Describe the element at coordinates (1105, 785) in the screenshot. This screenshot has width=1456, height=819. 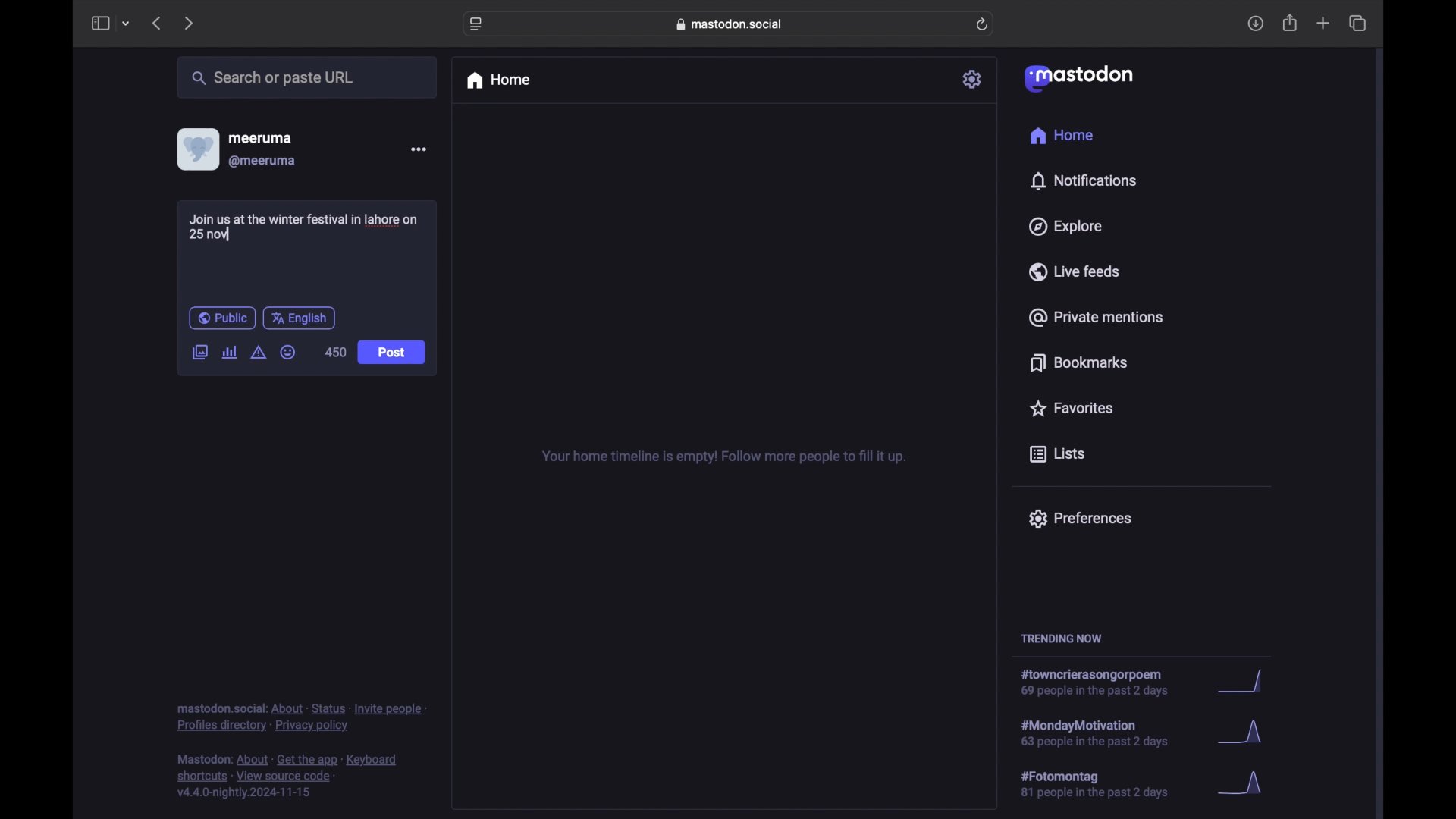
I see `hashtag trend` at that location.